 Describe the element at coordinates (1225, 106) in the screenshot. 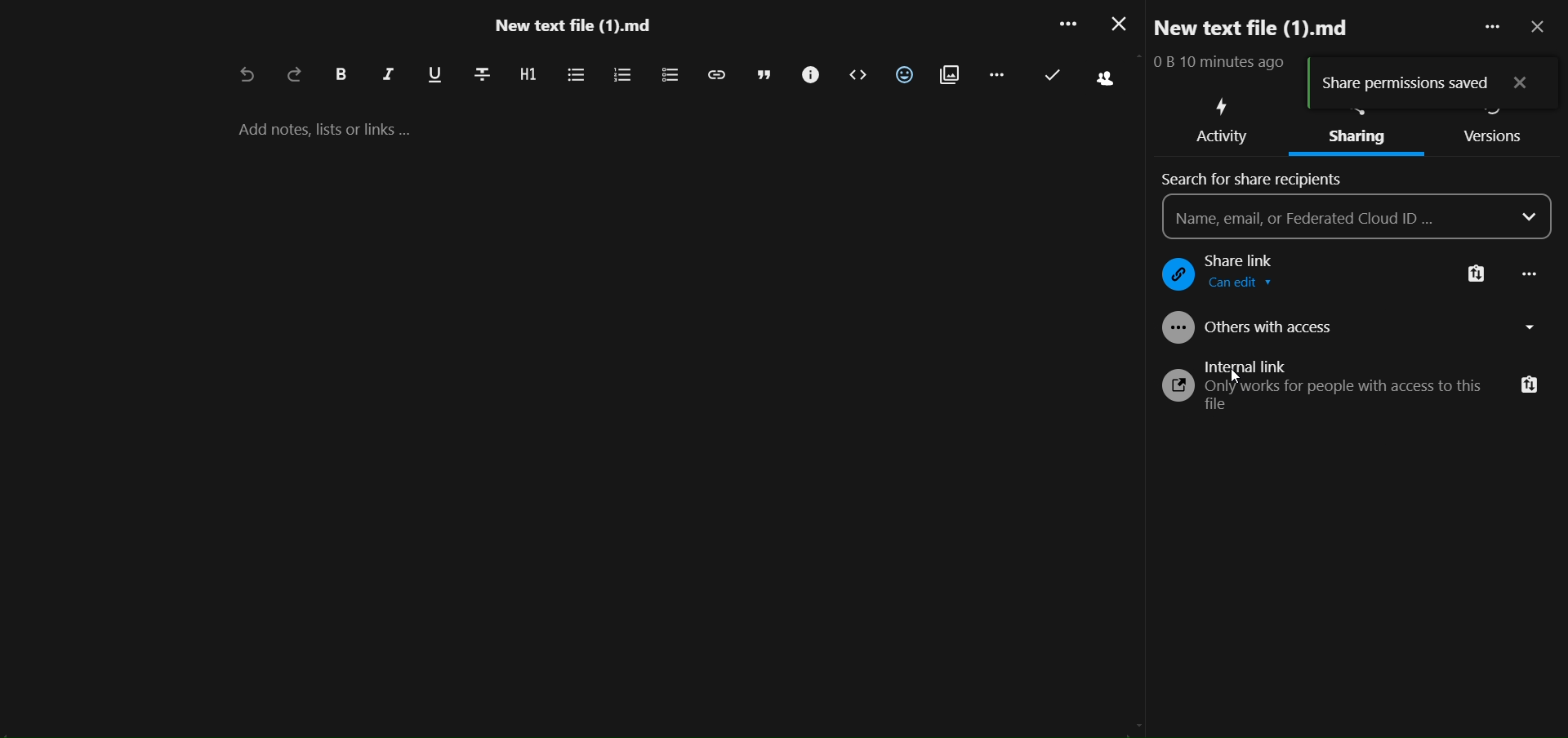

I see `activity icon` at that location.